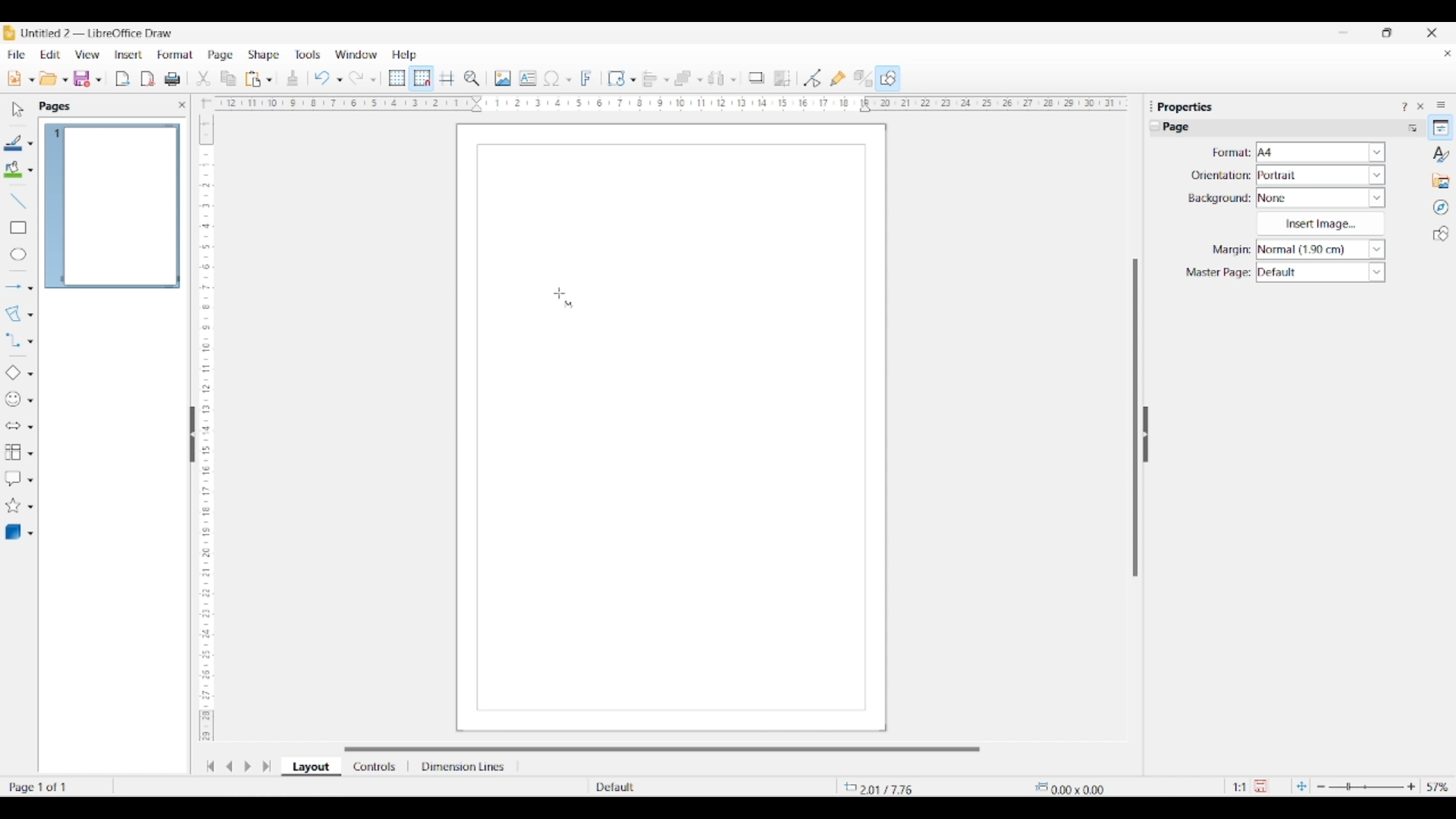 The height and width of the screenshot is (819, 1456). Describe the element at coordinates (373, 80) in the screenshot. I see `Redo specific actions` at that location.